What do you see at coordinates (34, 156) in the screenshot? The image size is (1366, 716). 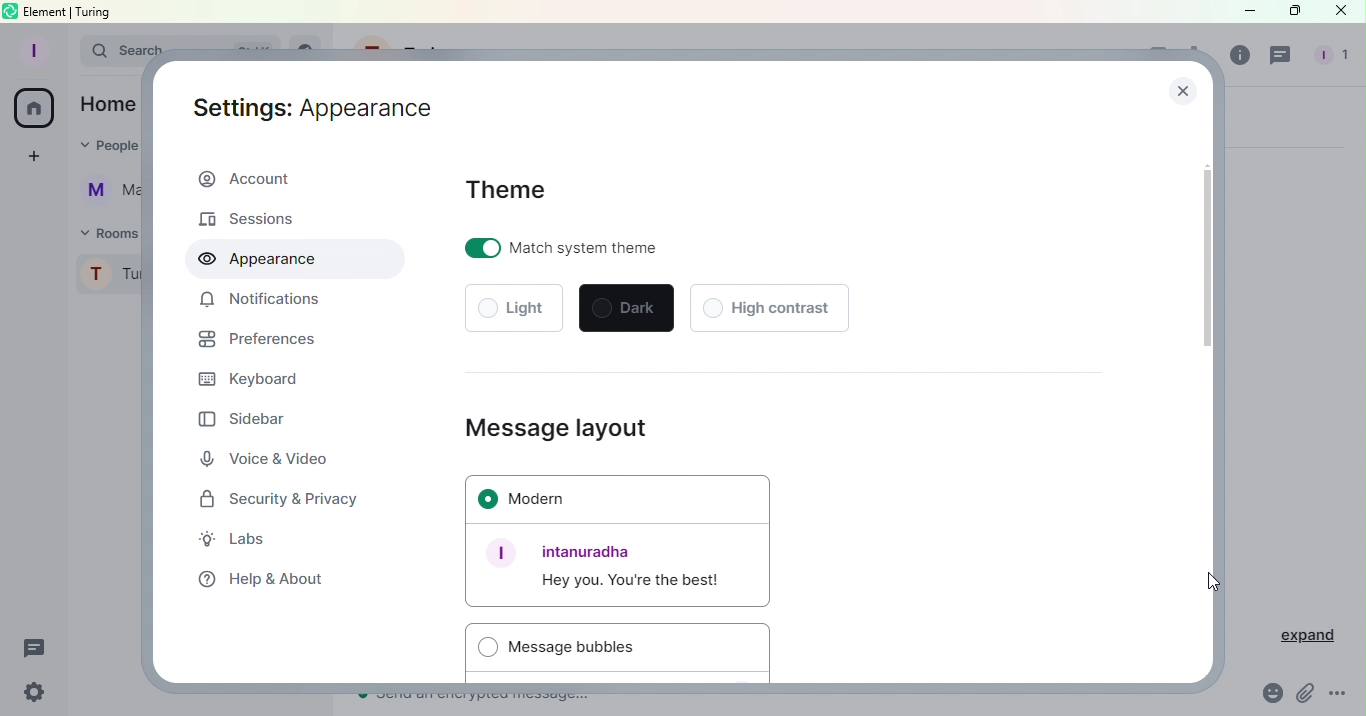 I see `Create a space` at bounding box center [34, 156].